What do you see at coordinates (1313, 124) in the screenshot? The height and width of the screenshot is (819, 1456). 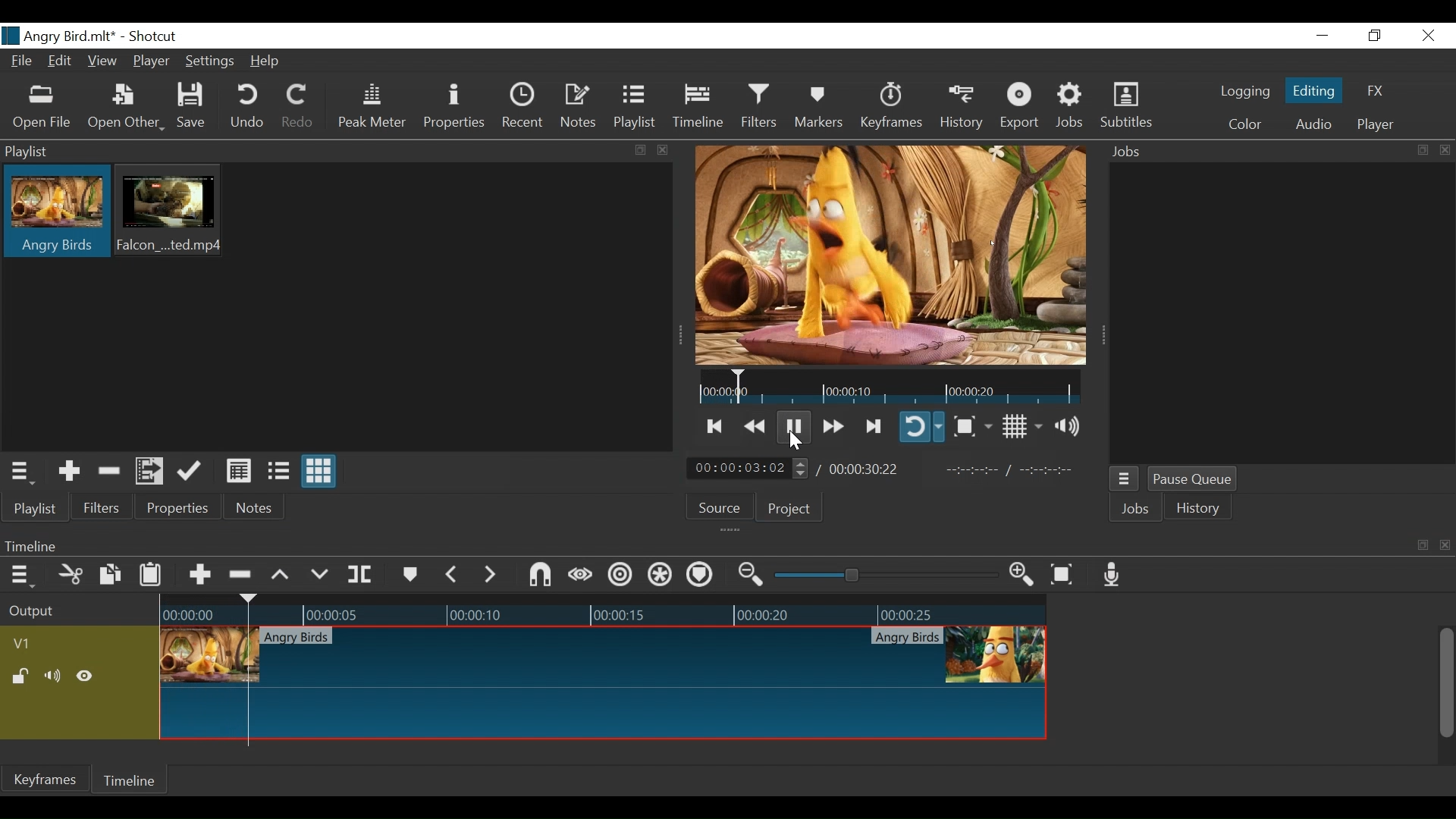 I see `Audio` at bounding box center [1313, 124].